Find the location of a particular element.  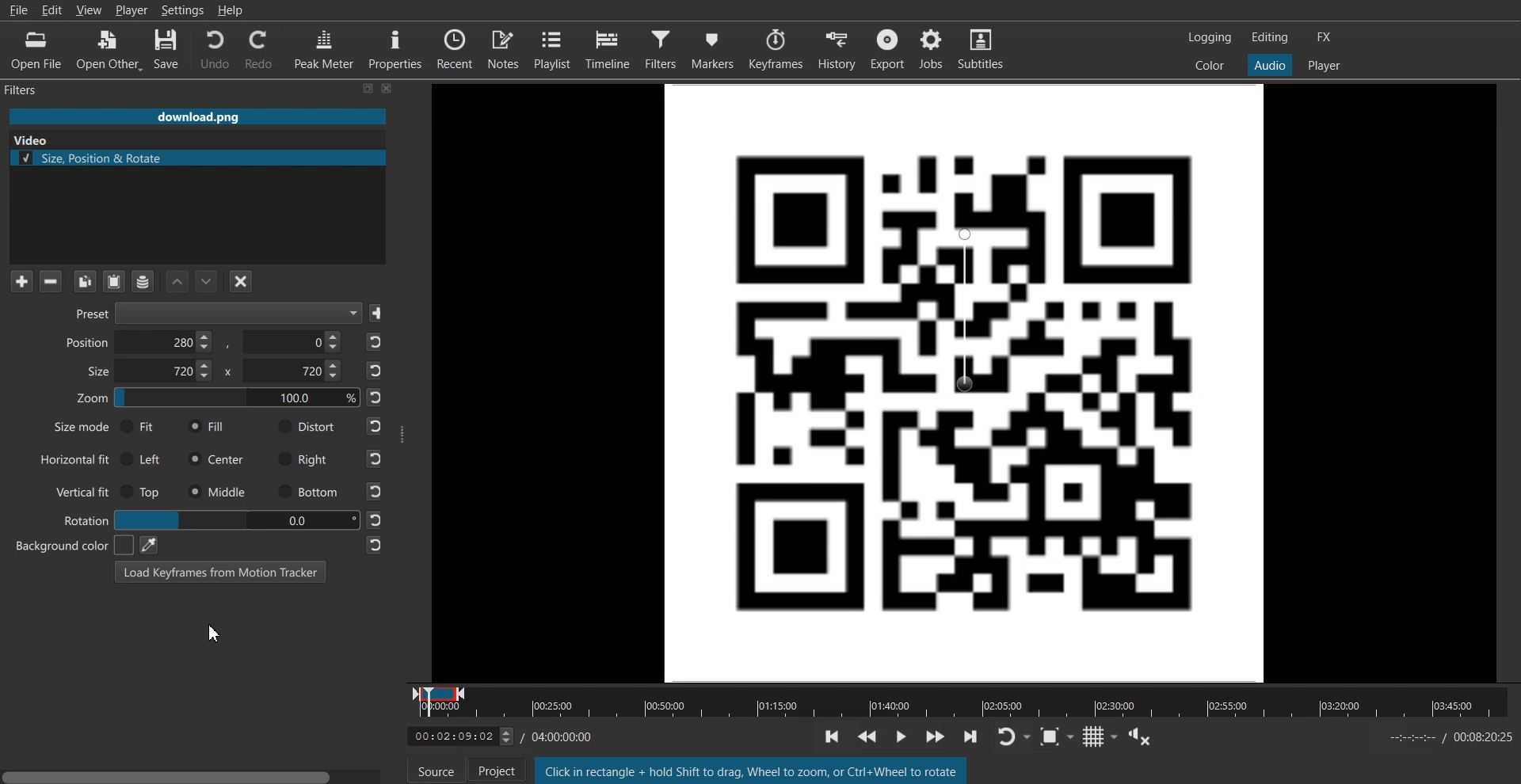

Center is located at coordinates (215, 459).